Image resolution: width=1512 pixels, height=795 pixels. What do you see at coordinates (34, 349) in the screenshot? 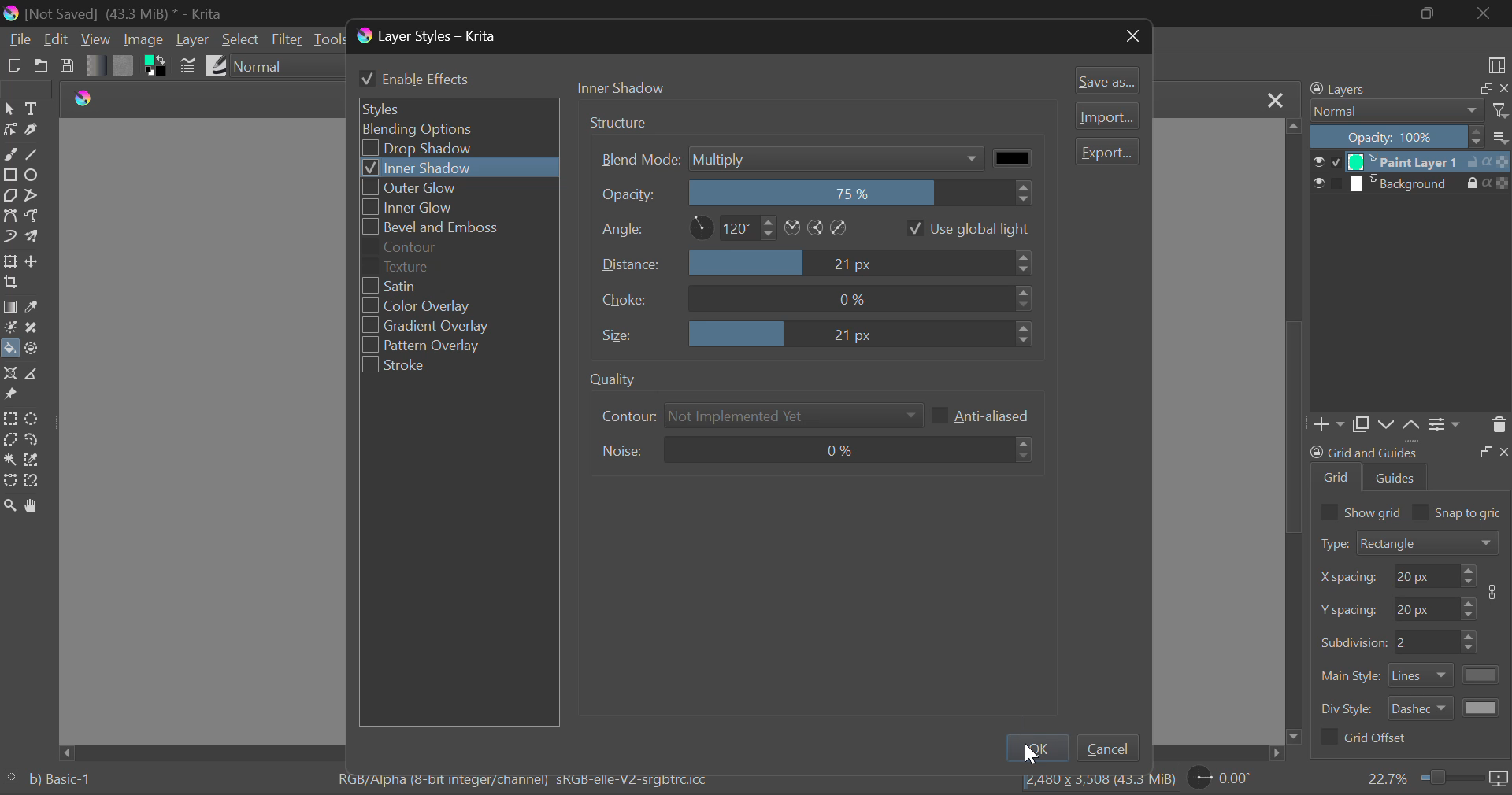
I see `Enclose and Fill` at bounding box center [34, 349].